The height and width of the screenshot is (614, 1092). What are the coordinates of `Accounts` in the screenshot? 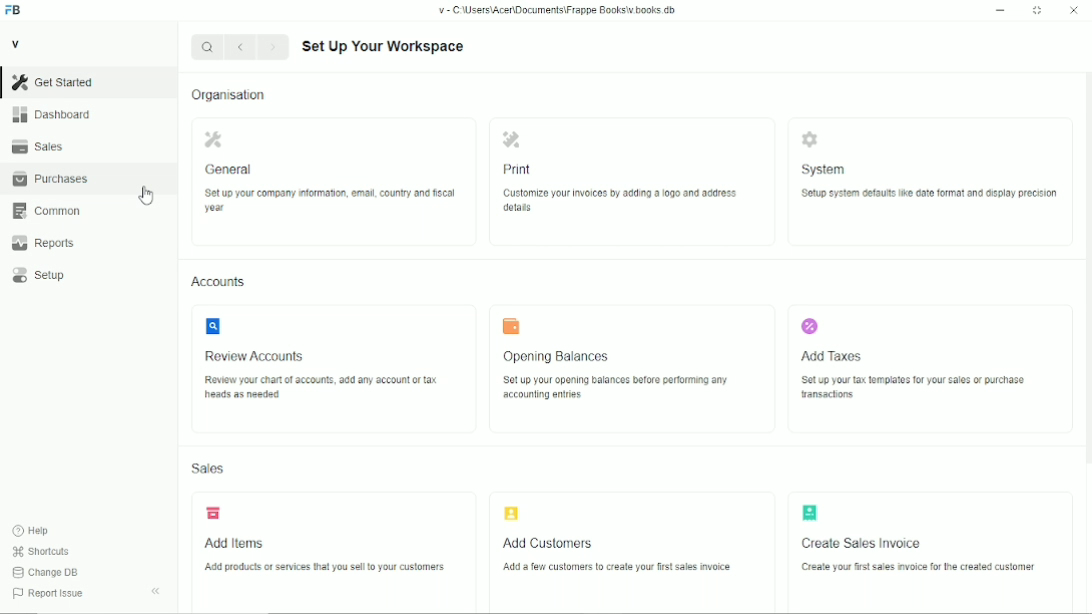 It's located at (222, 284).